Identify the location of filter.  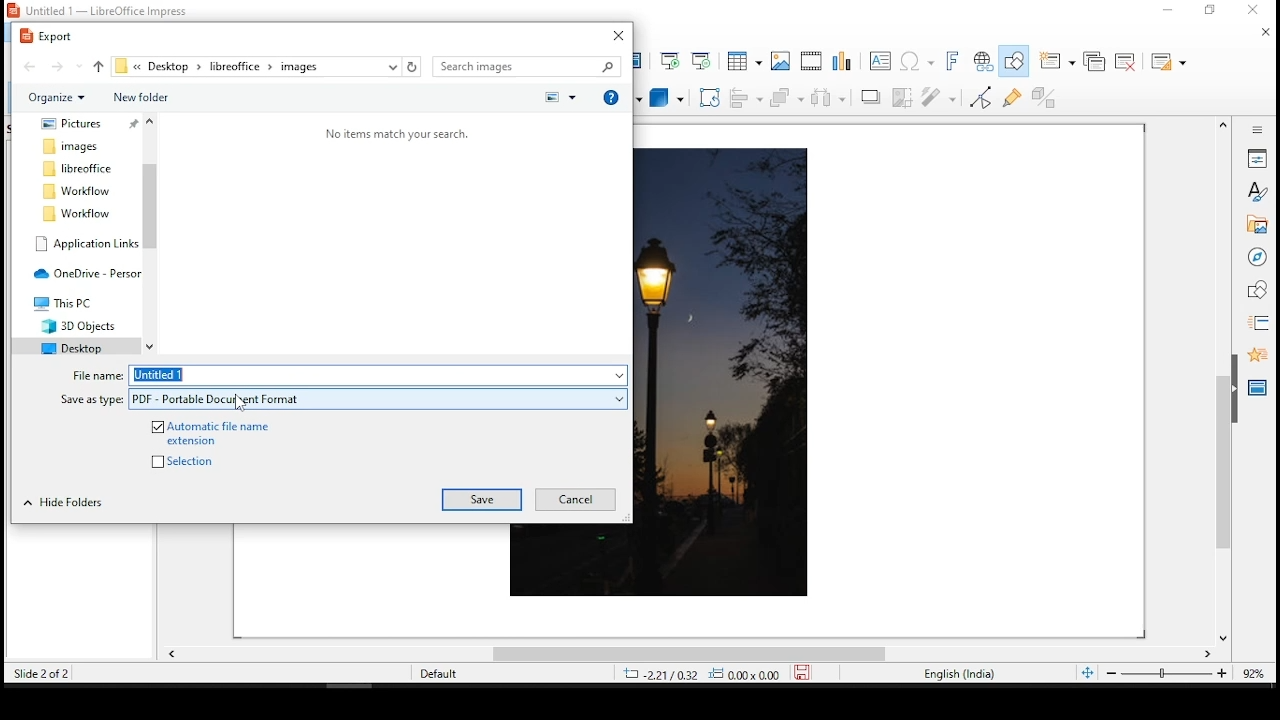
(937, 98).